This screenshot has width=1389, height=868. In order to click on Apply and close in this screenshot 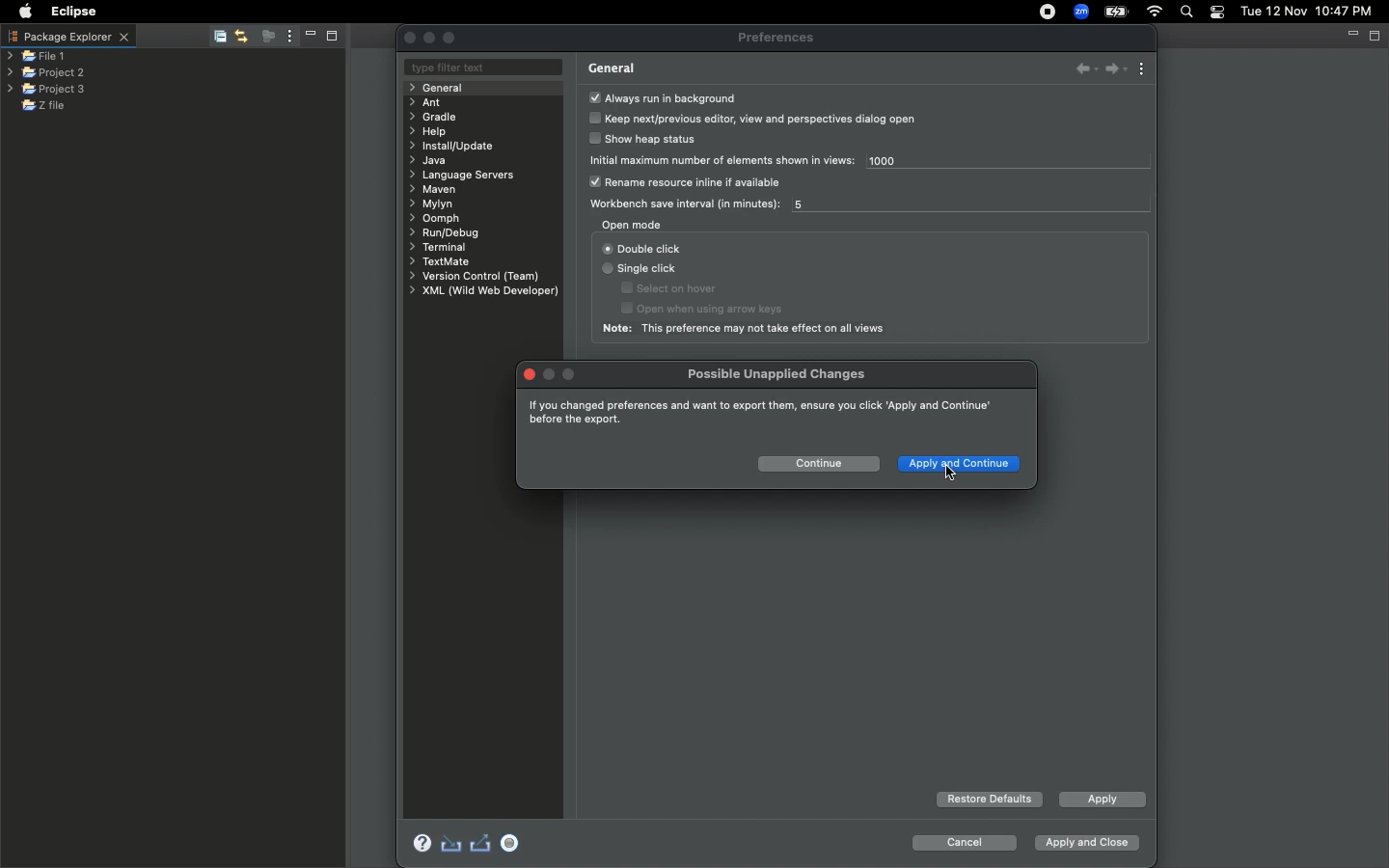, I will do `click(1087, 840)`.